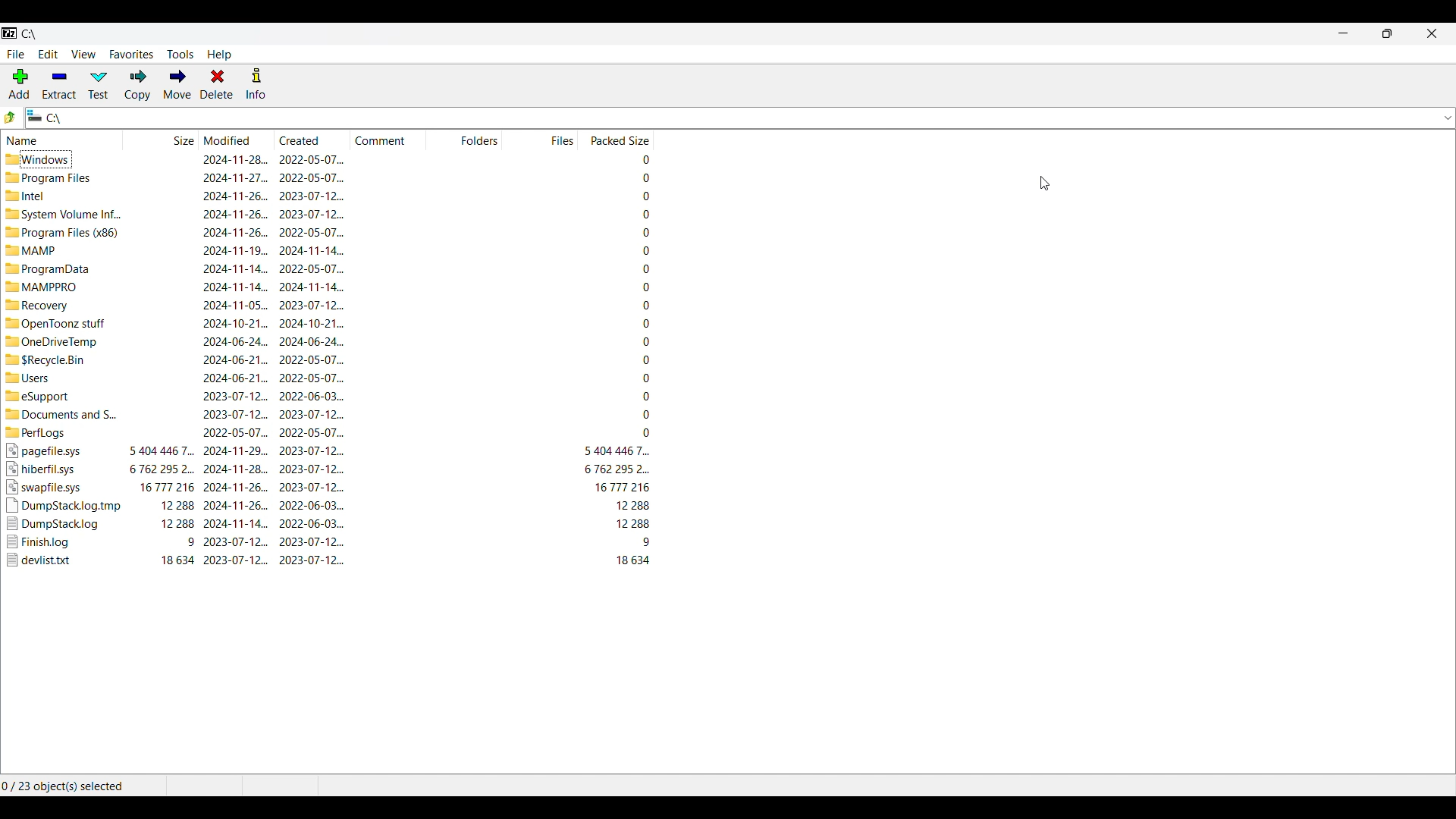 The image size is (1456, 819). What do you see at coordinates (389, 139) in the screenshot?
I see `Comment column` at bounding box center [389, 139].